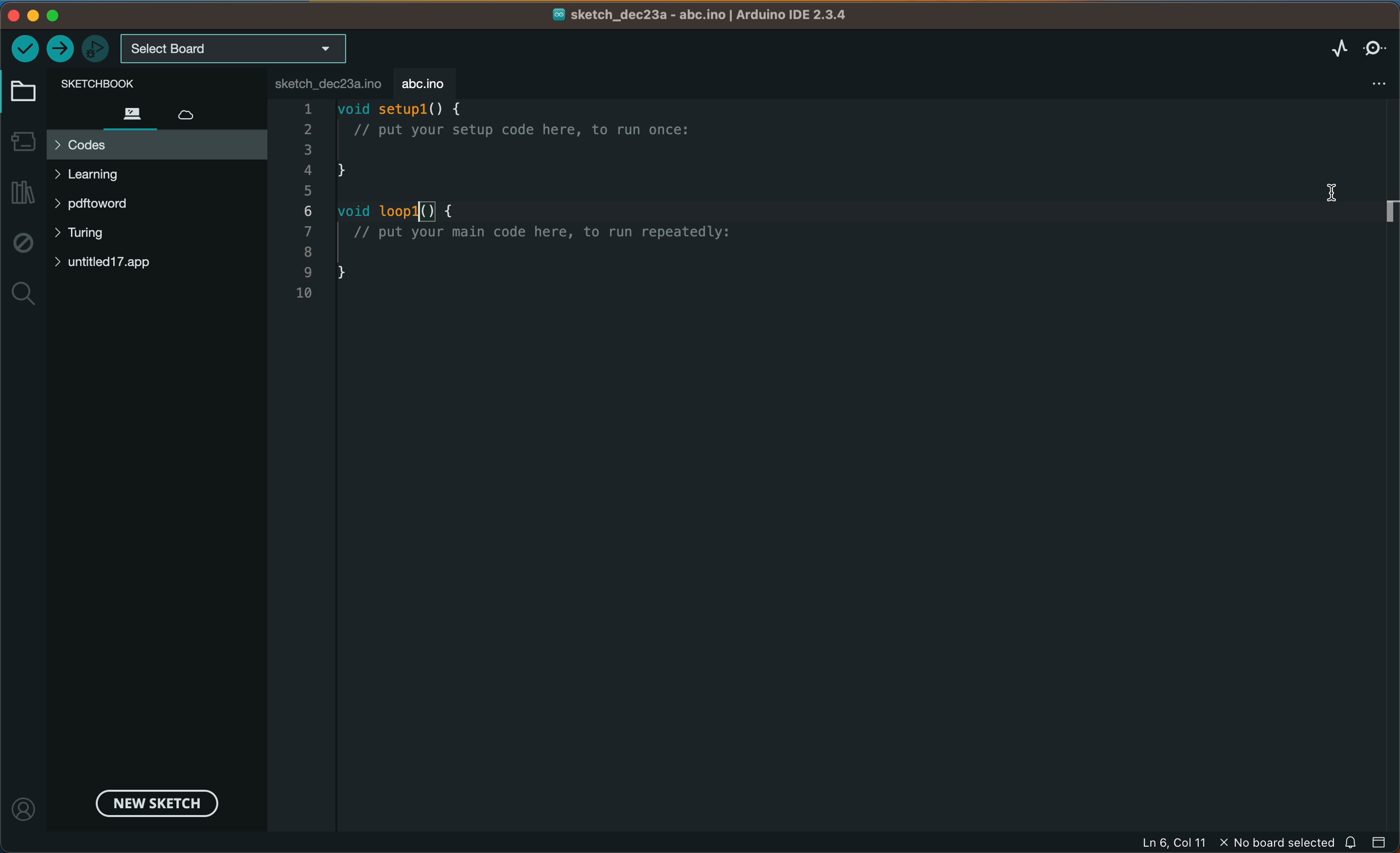 This screenshot has width=1400, height=853. I want to click on profile, so click(23, 810).